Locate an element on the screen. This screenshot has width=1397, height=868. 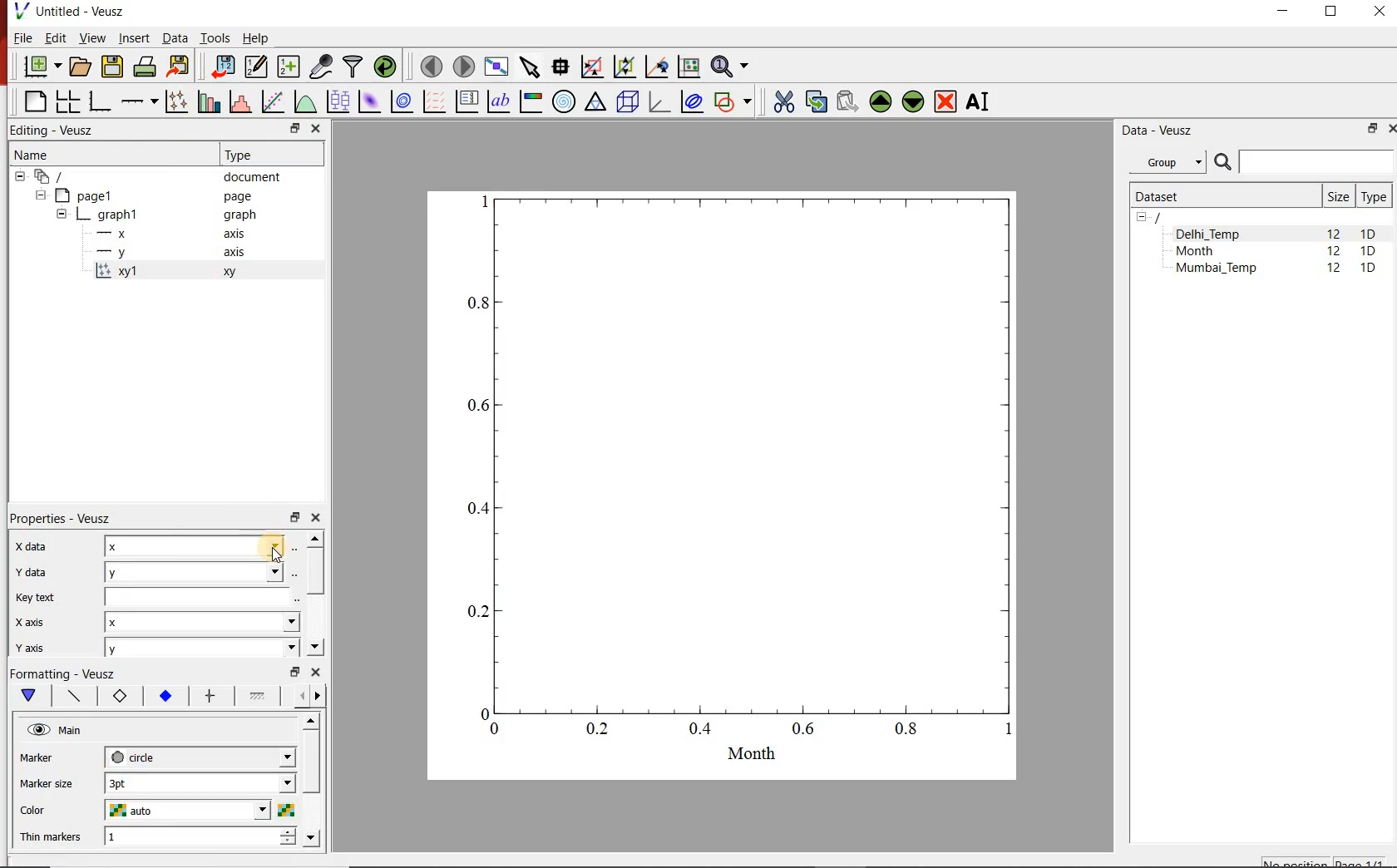
x-data is located at coordinates (35, 546).